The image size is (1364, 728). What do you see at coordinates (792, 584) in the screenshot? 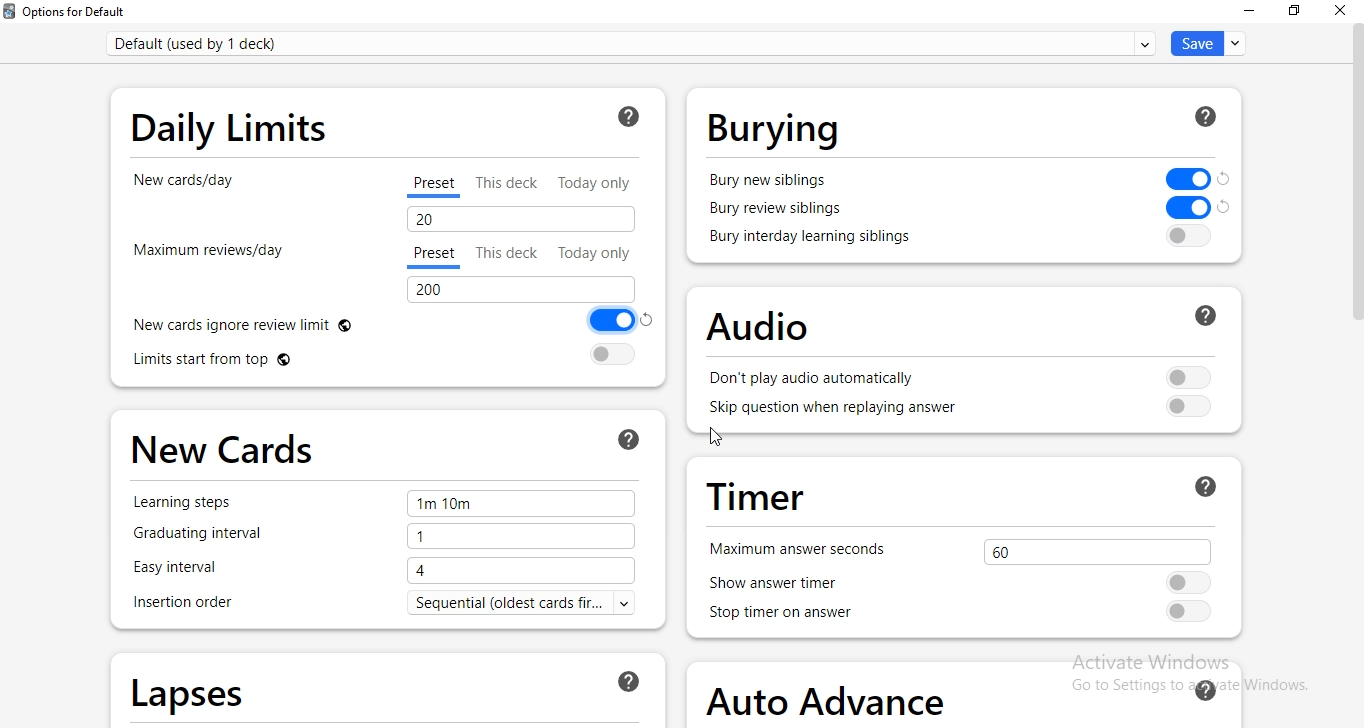
I see `show answer time` at bounding box center [792, 584].